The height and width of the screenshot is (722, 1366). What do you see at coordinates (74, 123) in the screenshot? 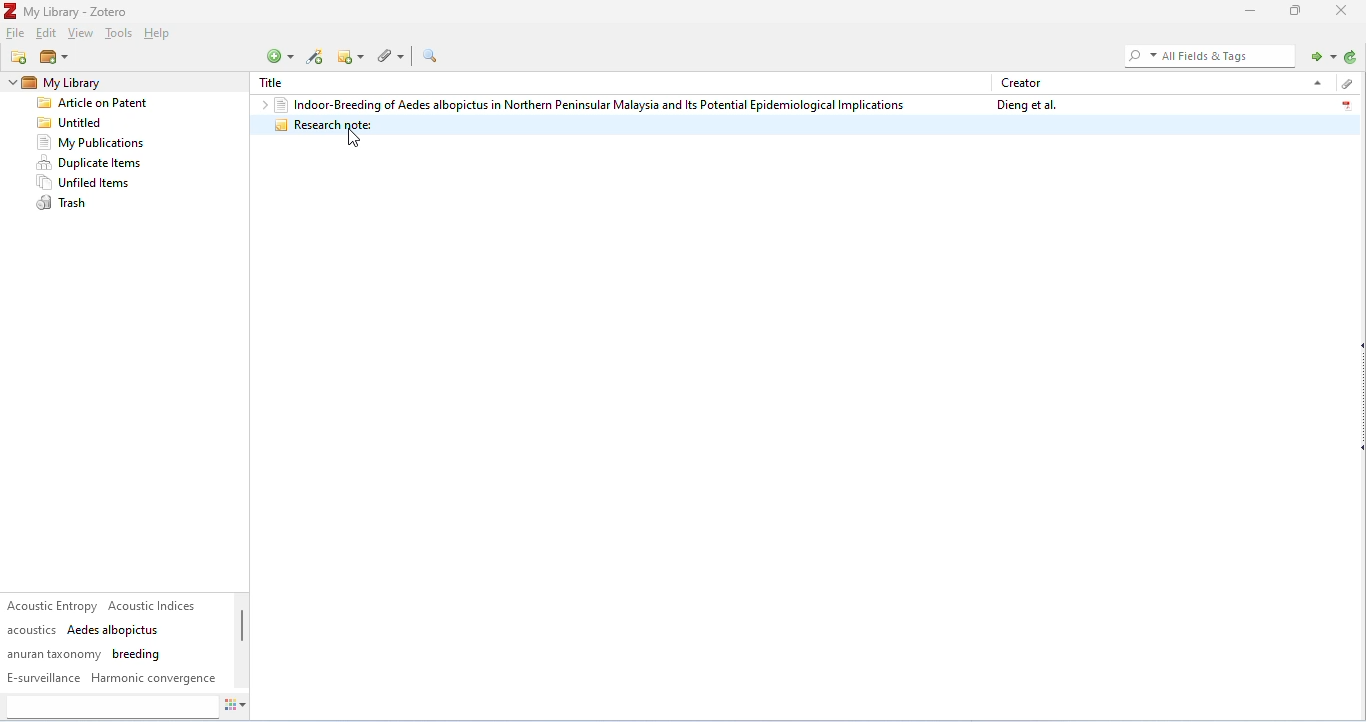
I see `Untitled` at bounding box center [74, 123].